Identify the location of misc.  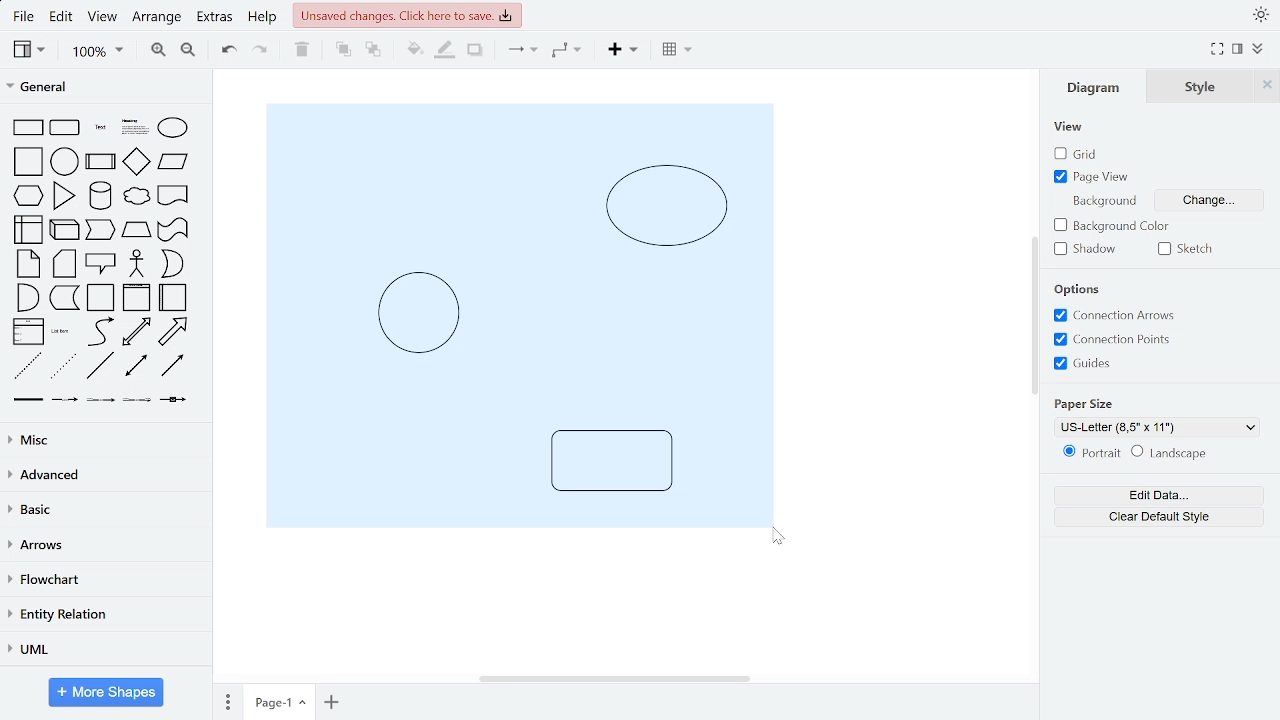
(102, 440).